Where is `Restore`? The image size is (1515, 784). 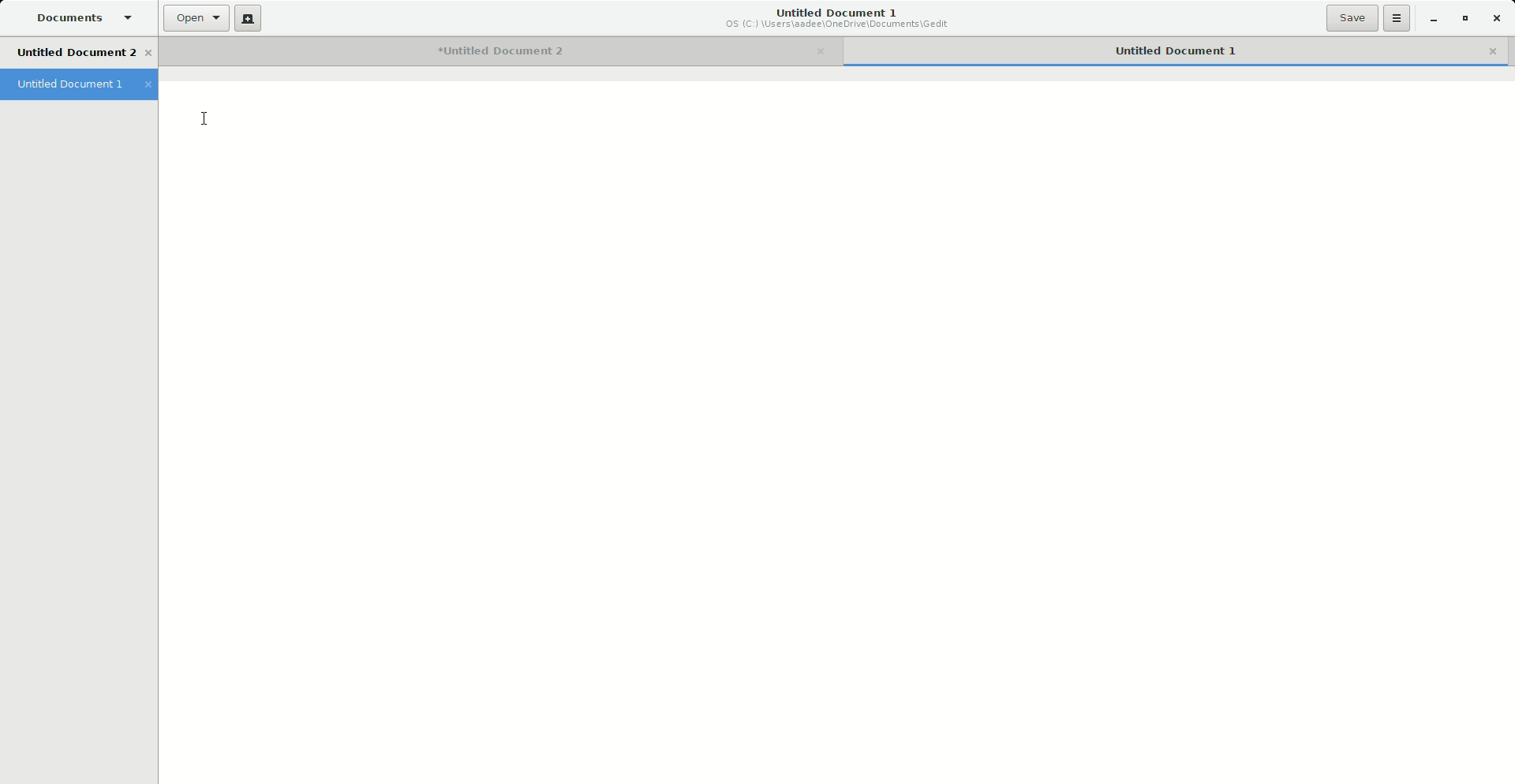 Restore is located at coordinates (1463, 17).